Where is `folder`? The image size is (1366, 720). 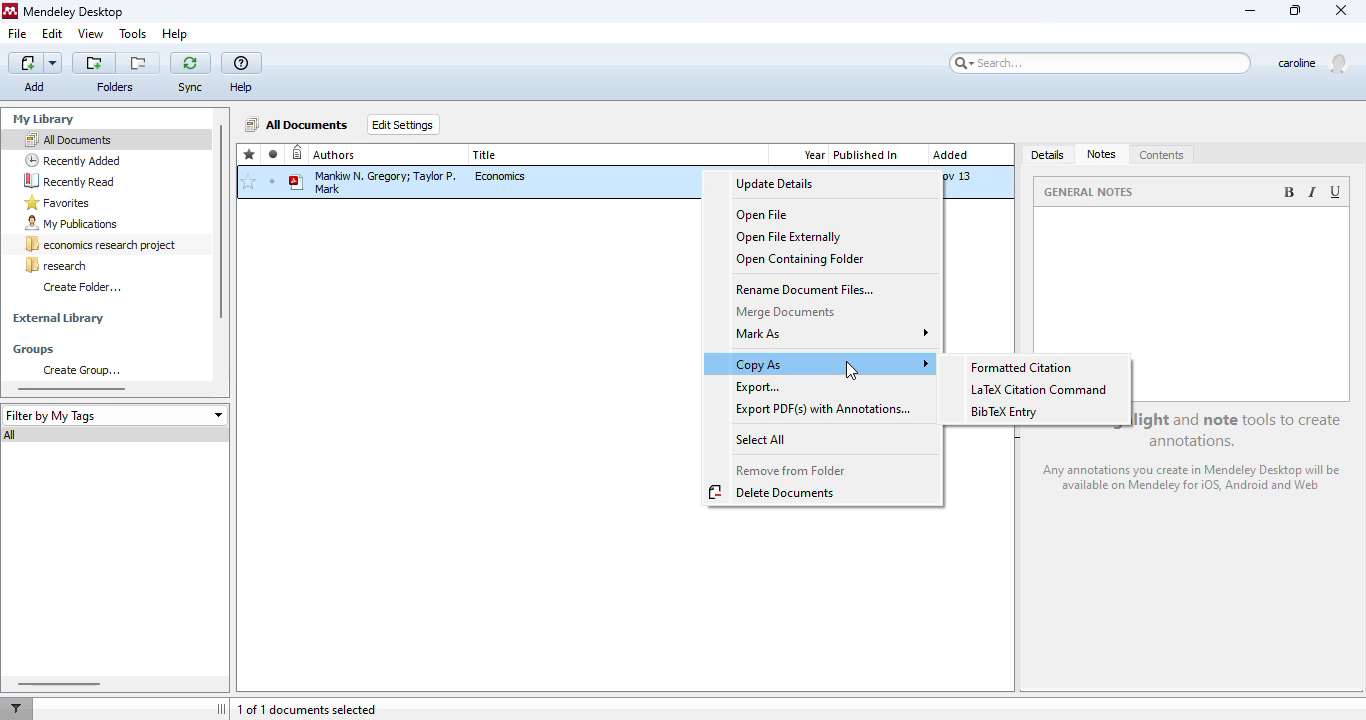
folder is located at coordinates (114, 87).